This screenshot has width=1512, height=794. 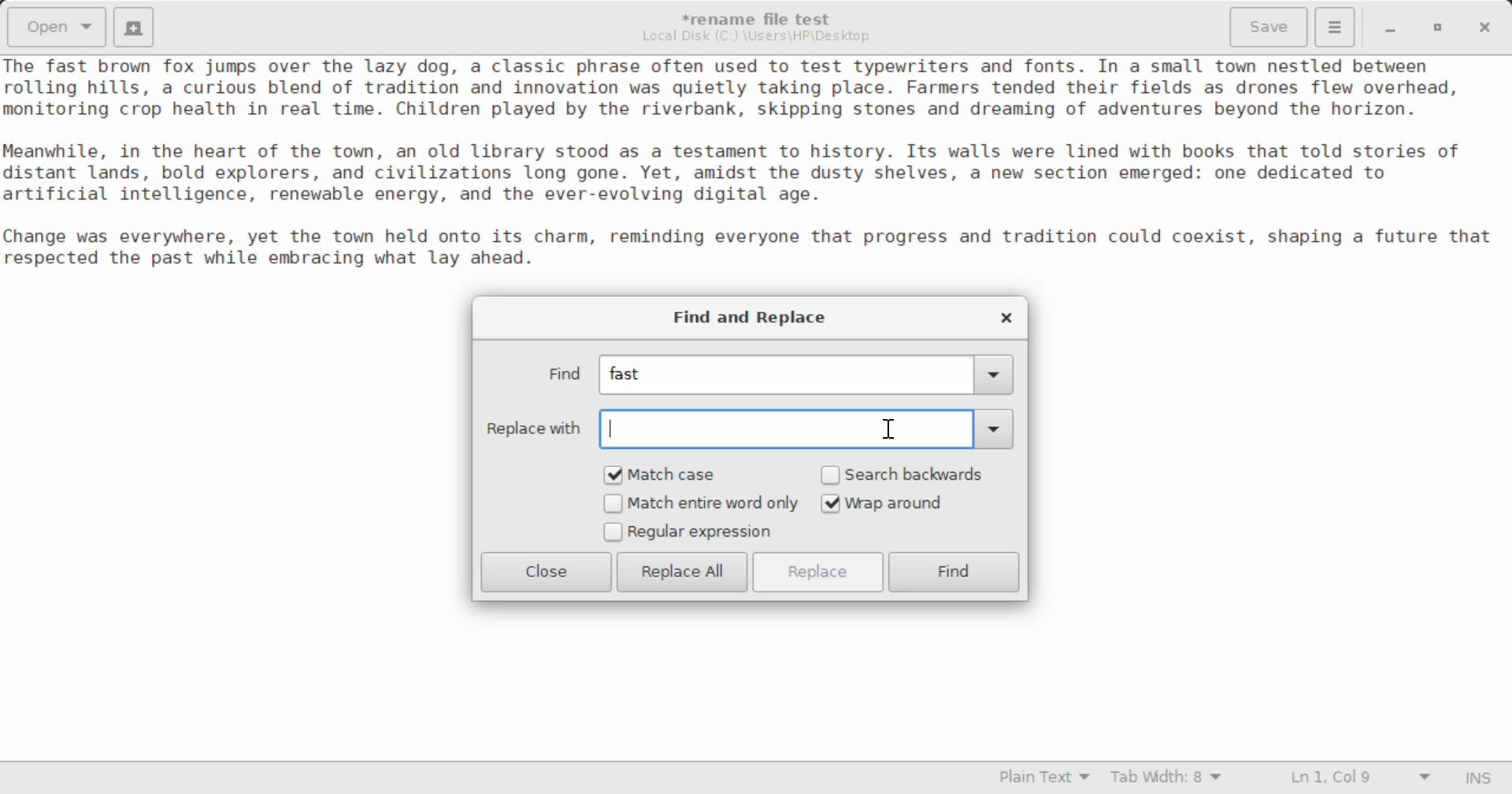 What do you see at coordinates (1482, 27) in the screenshot?
I see `Close Window` at bounding box center [1482, 27].